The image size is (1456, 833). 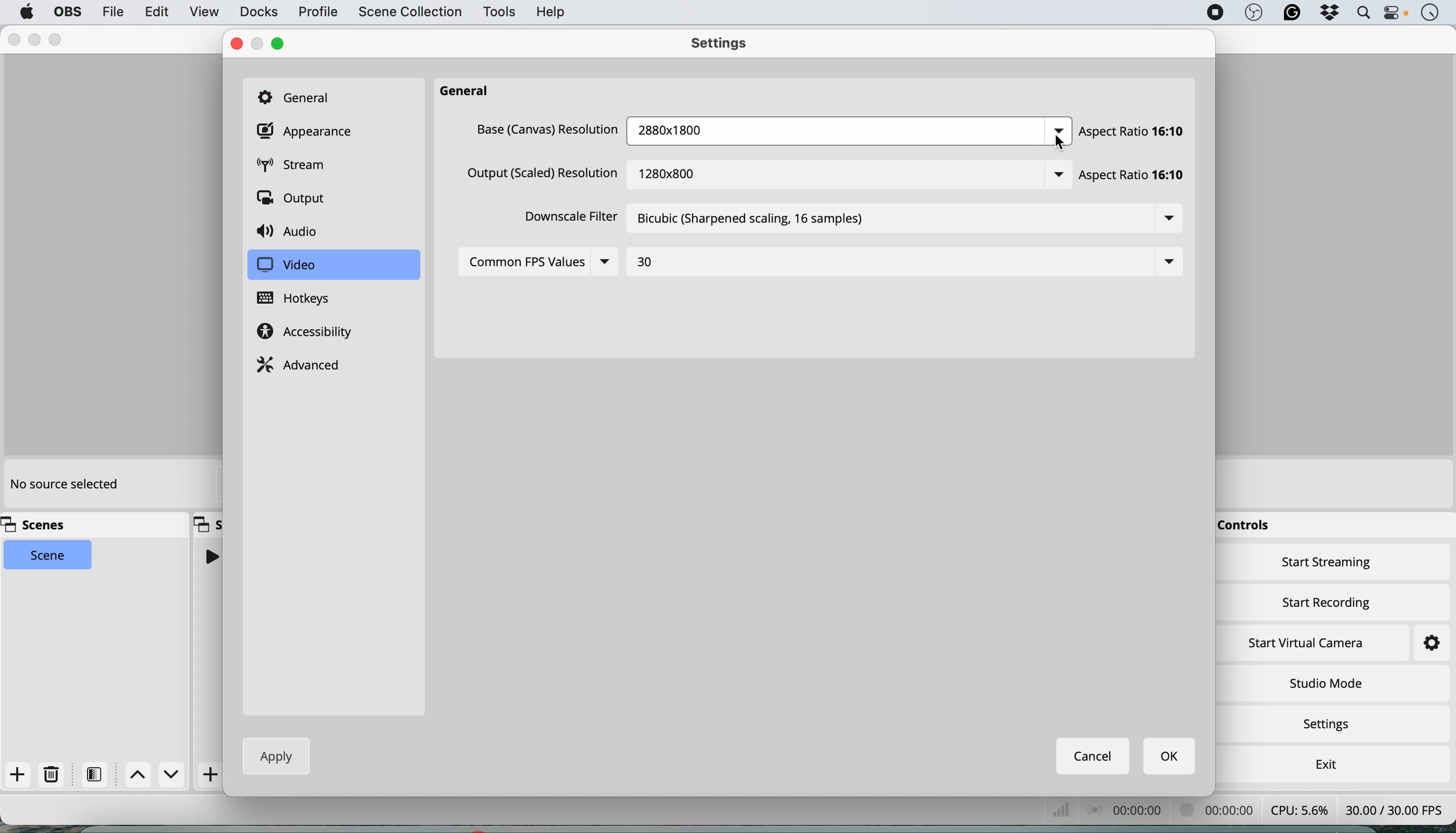 What do you see at coordinates (52, 775) in the screenshot?
I see `delete scene` at bounding box center [52, 775].